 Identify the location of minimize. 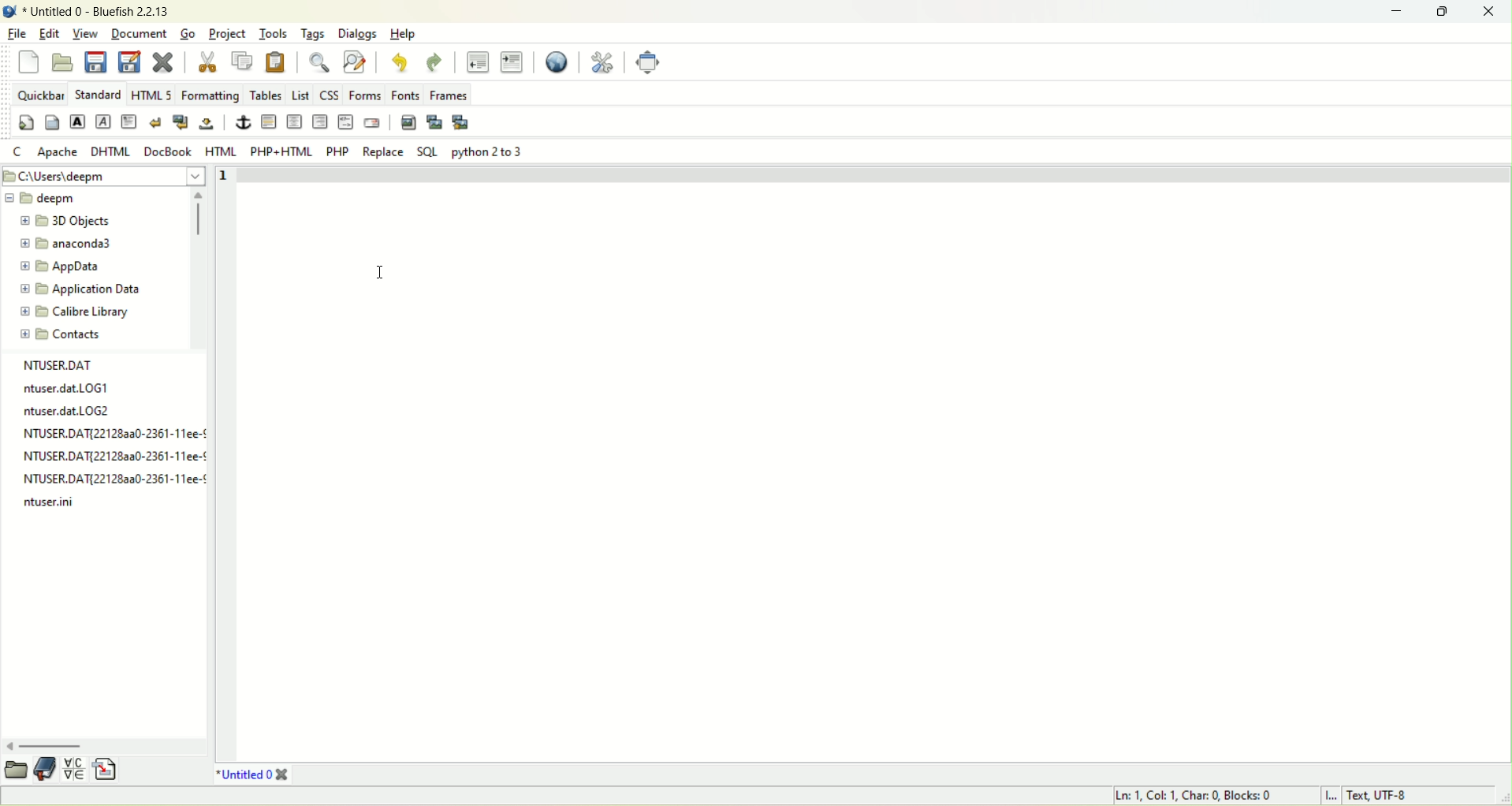
(1402, 9).